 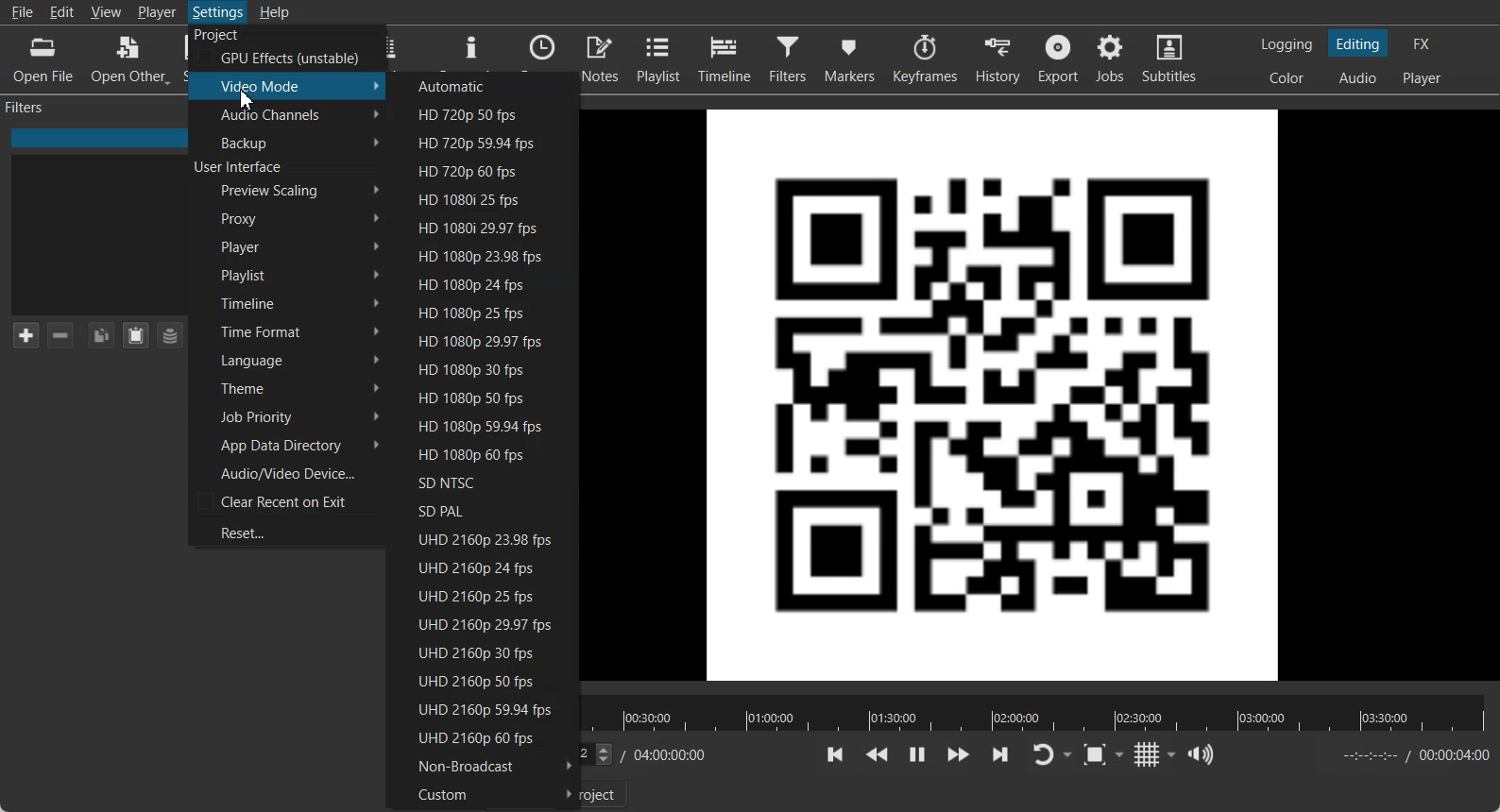 I want to click on HD 1080p 29.97 fps, so click(x=478, y=340).